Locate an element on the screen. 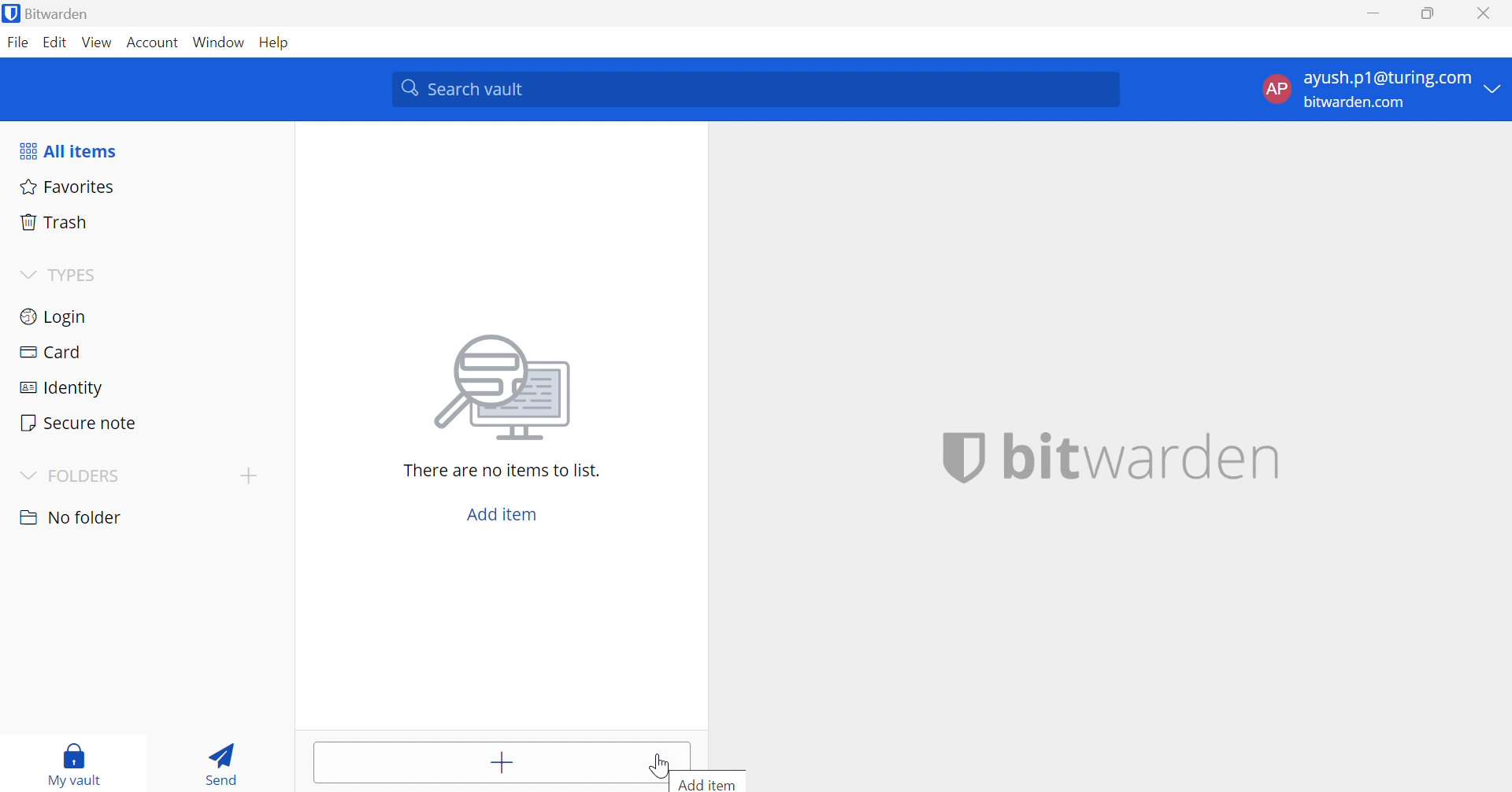 The height and width of the screenshot is (792, 1512). Restore Down is located at coordinates (1429, 11).